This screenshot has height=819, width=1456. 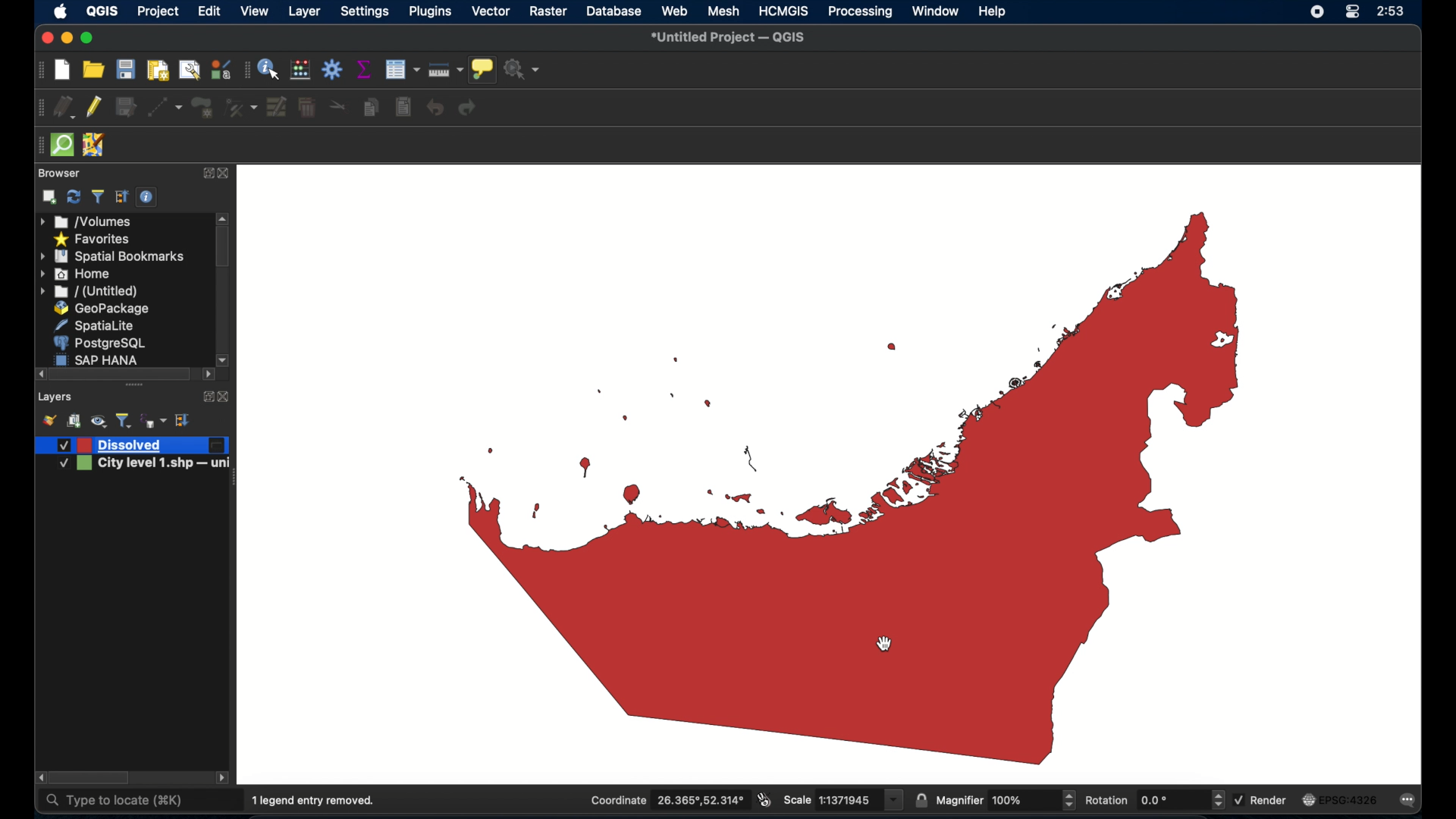 What do you see at coordinates (1006, 799) in the screenshot?
I see `magnifier` at bounding box center [1006, 799].